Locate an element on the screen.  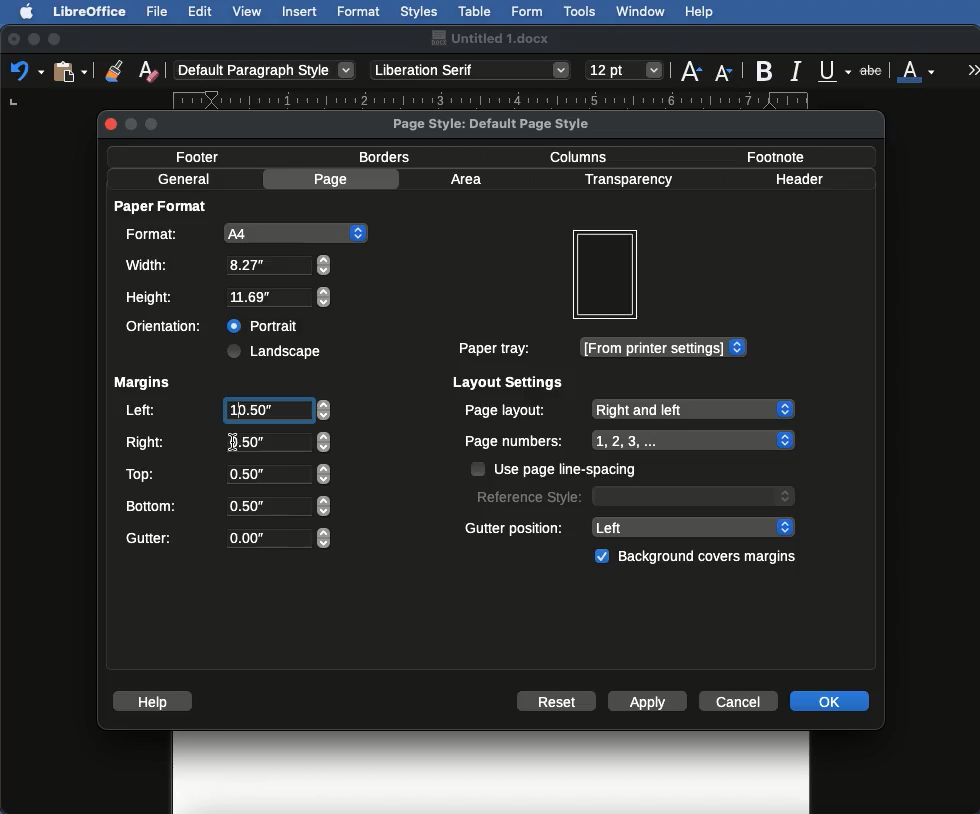
Cancel is located at coordinates (741, 700).